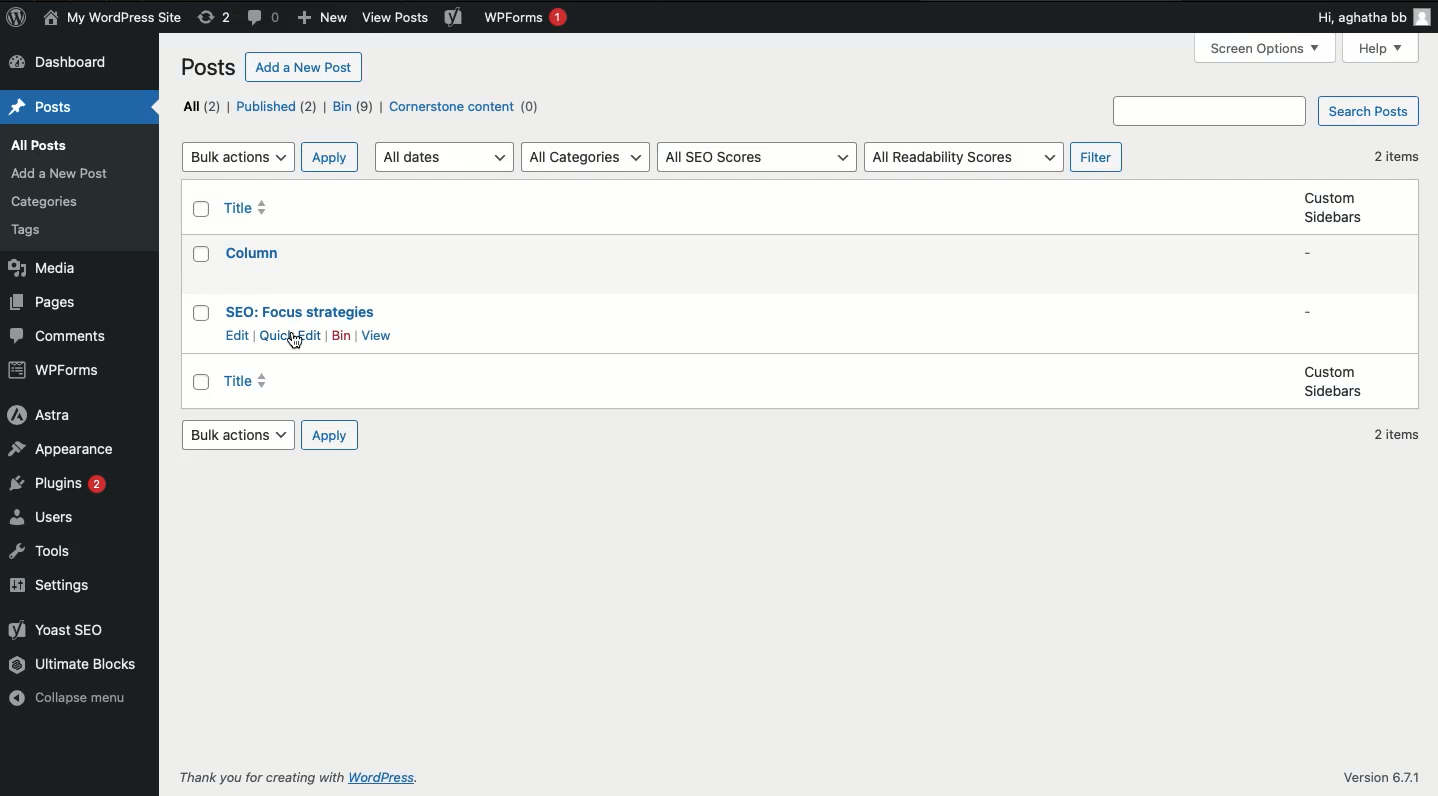 The height and width of the screenshot is (796, 1438). What do you see at coordinates (292, 336) in the screenshot?
I see `Quick edit` at bounding box center [292, 336].